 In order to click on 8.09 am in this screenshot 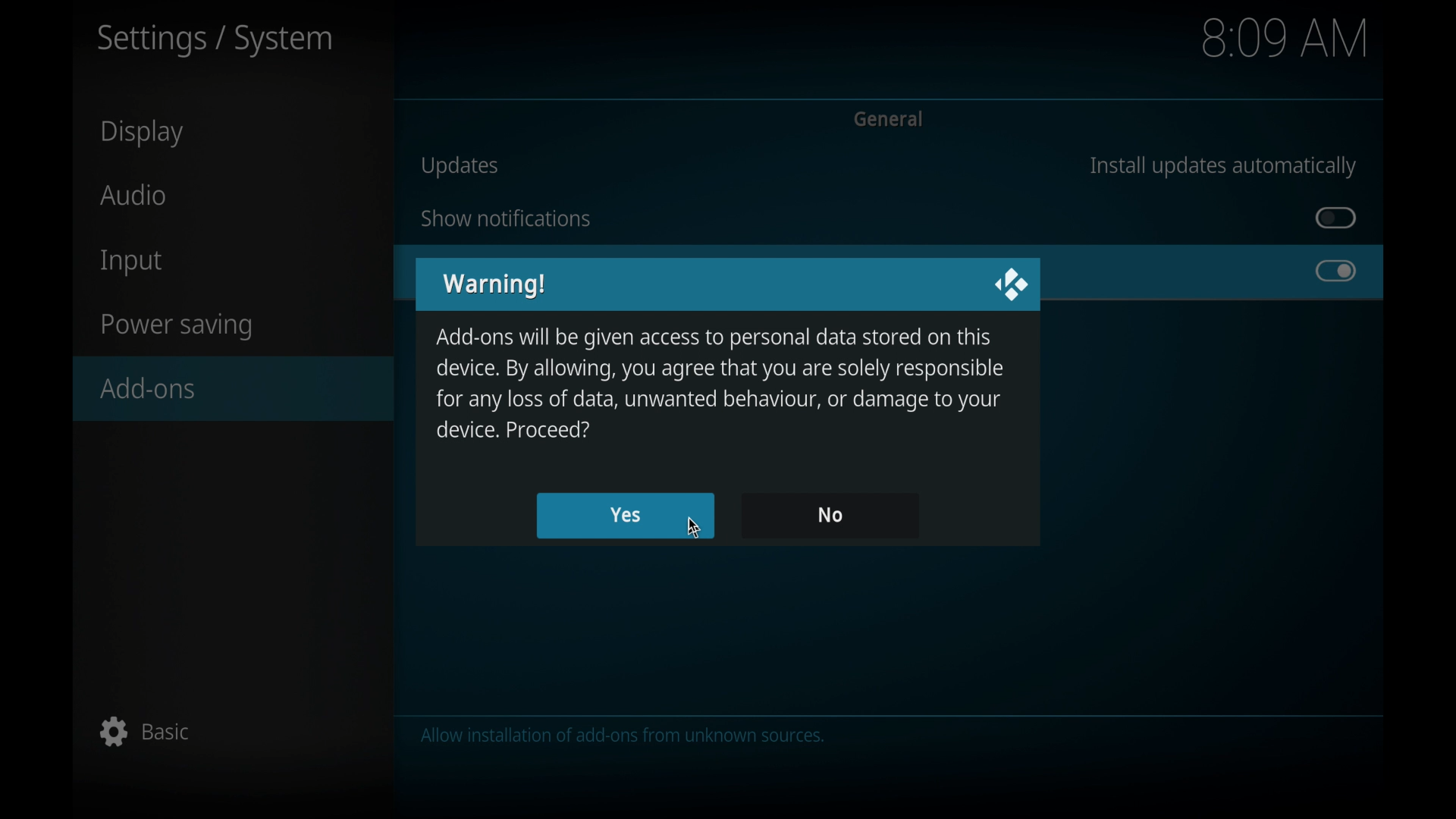, I will do `click(1287, 37)`.